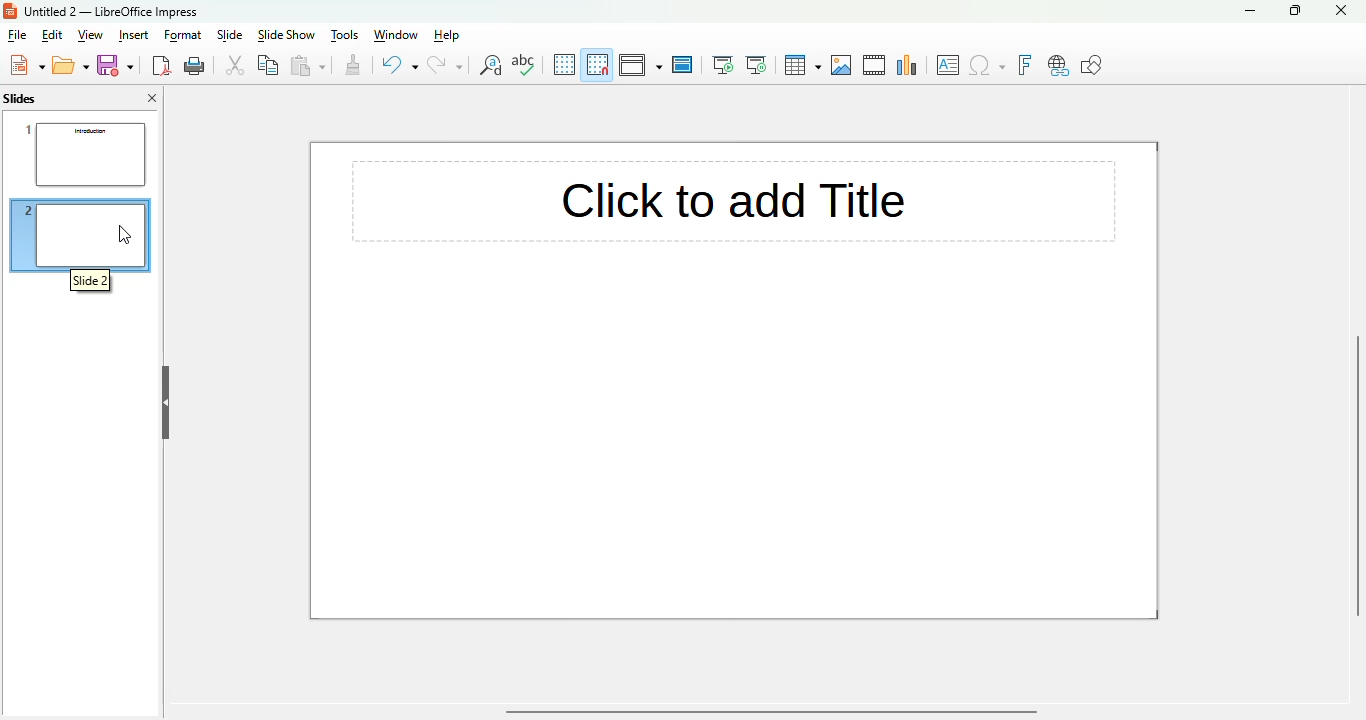 Image resolution: width=1366 pixels, height=720 pixels. I want to click on start from first slide, so click(723, 65).